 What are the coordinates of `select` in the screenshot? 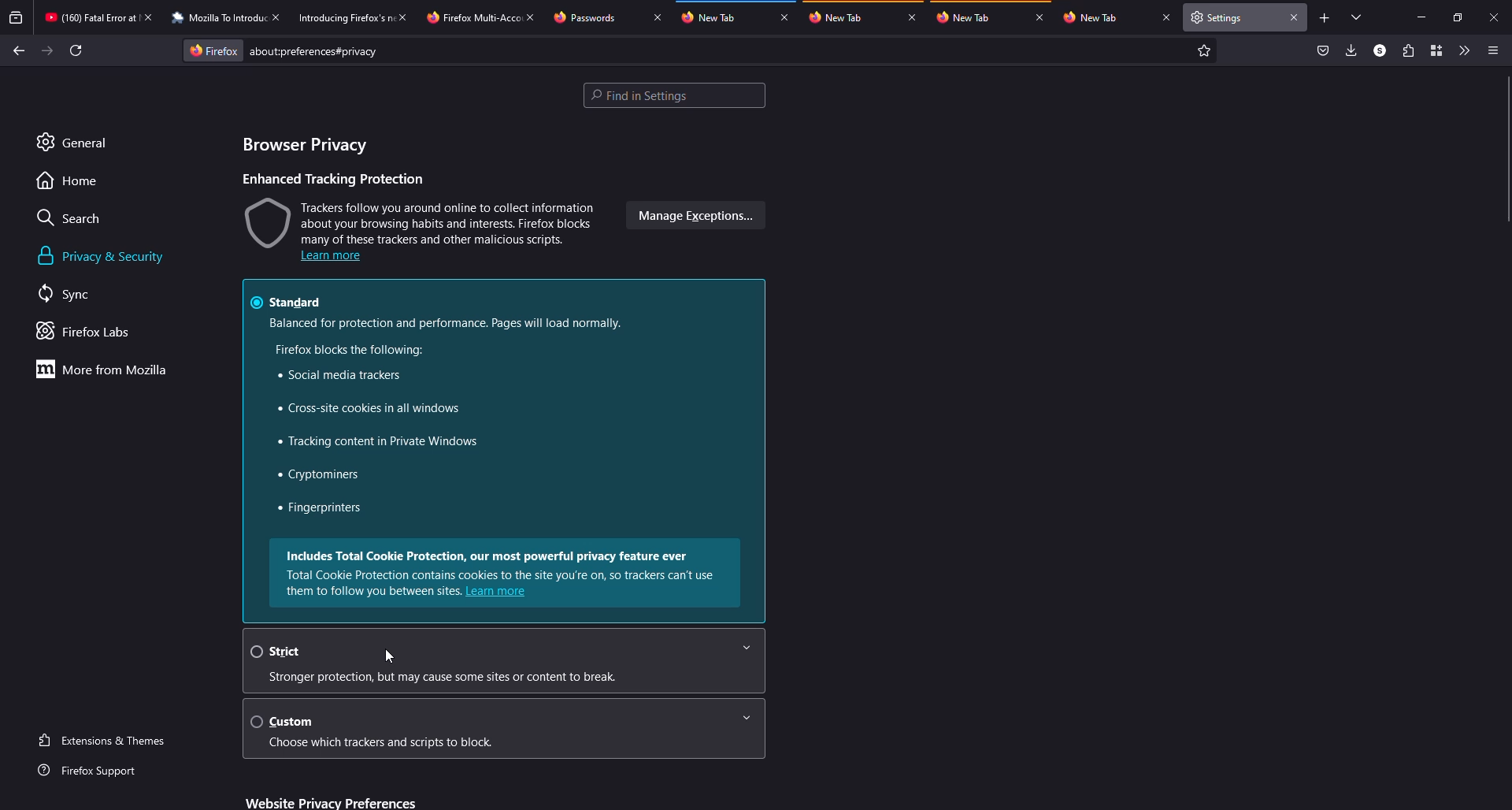 It's located at (253, 651).